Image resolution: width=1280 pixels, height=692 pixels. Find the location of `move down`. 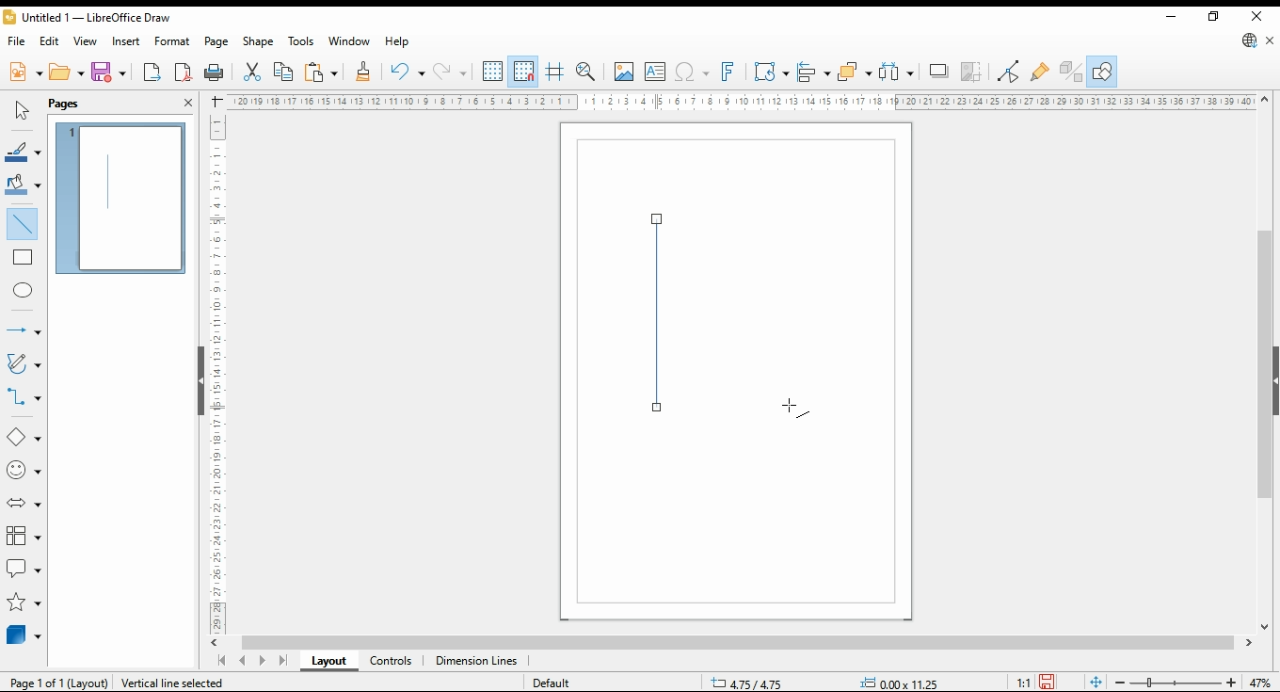

move down is located at coordinates (1265, 629).